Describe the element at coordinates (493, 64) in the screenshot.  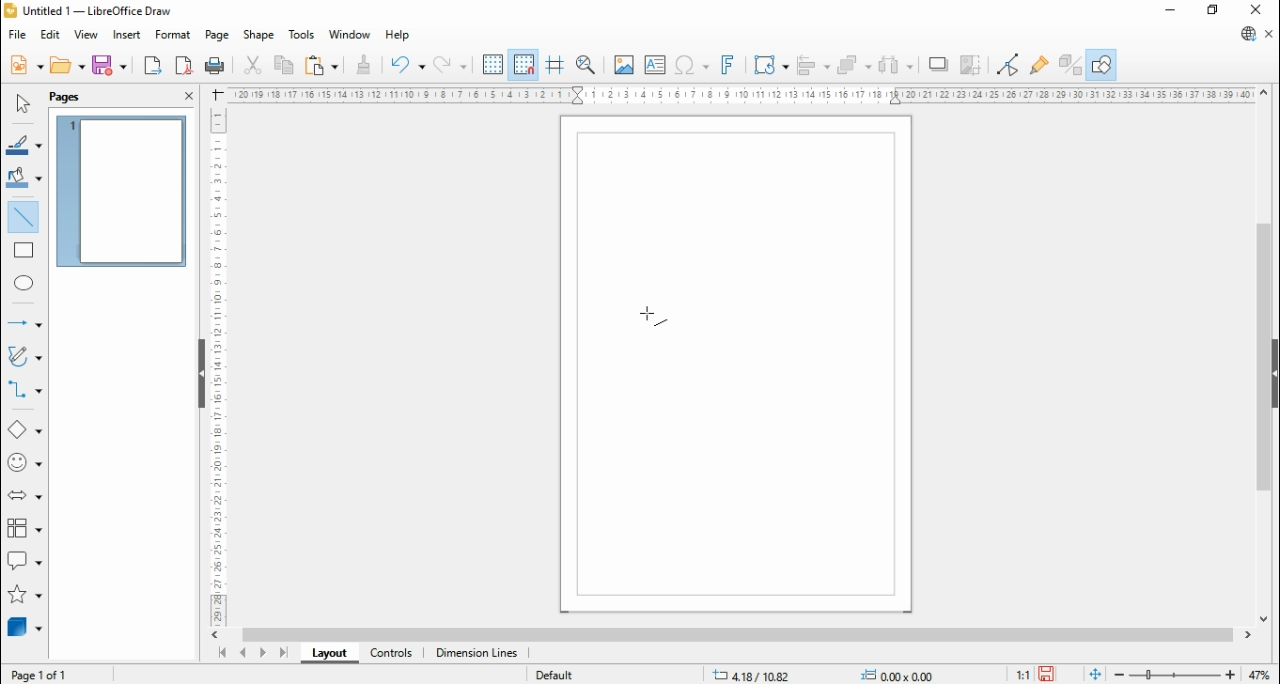
I see `show grids` at that location.